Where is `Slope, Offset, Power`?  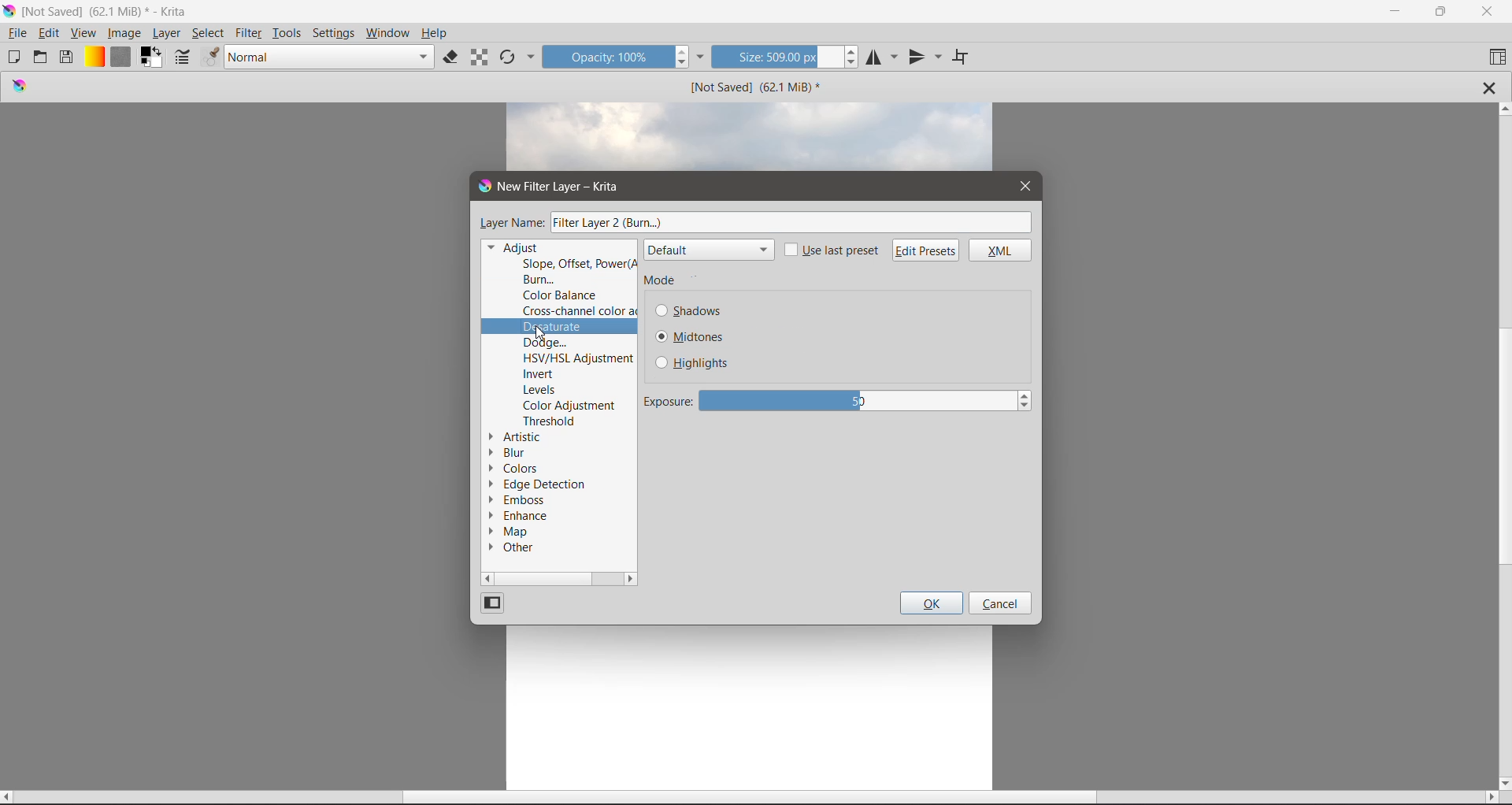 Slope, Offset, Power is located at coordinates (578, 264).